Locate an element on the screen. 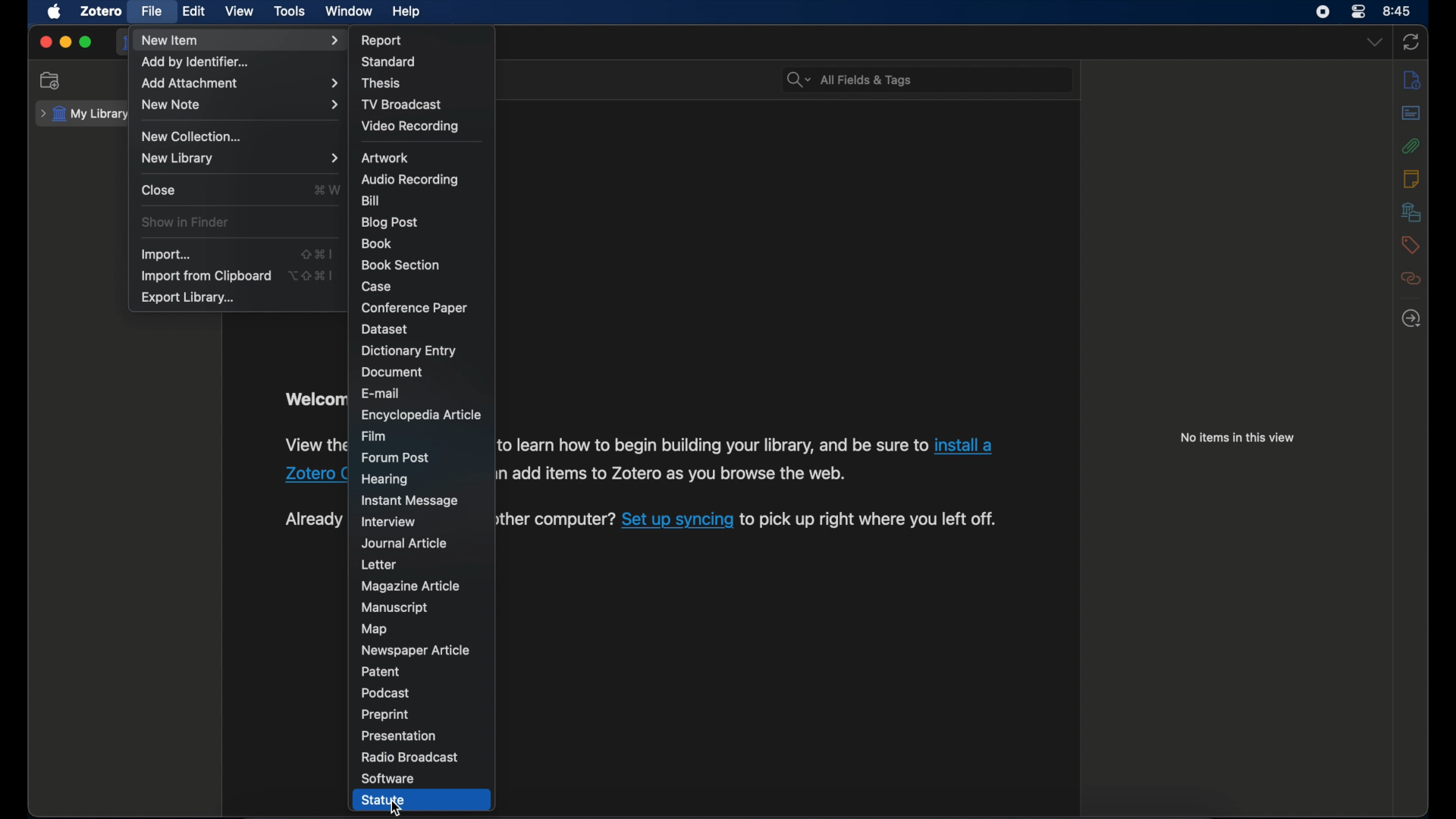  related is located at coordinates (1410, 279).